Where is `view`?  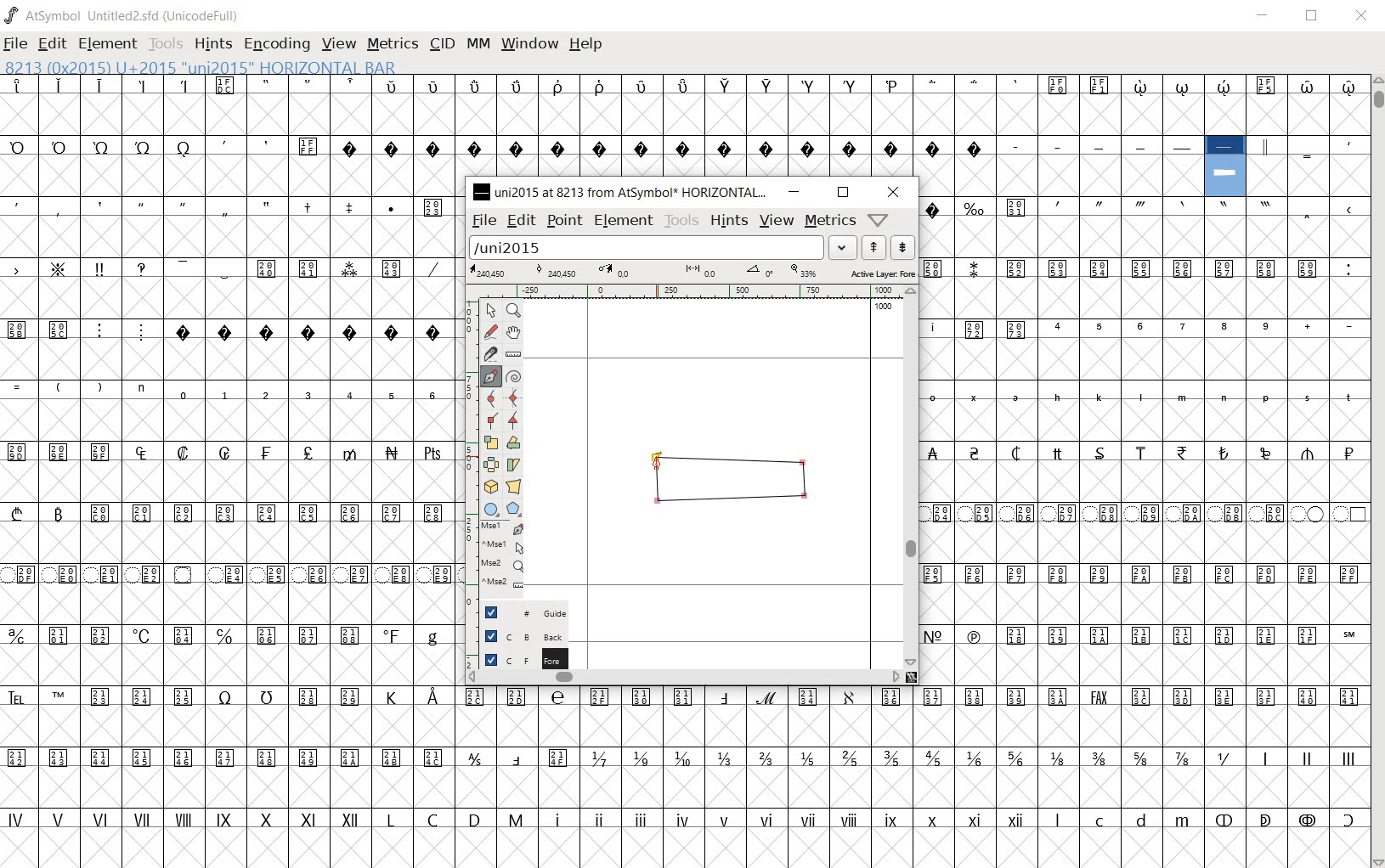
view is located at coordinates (776, 221).